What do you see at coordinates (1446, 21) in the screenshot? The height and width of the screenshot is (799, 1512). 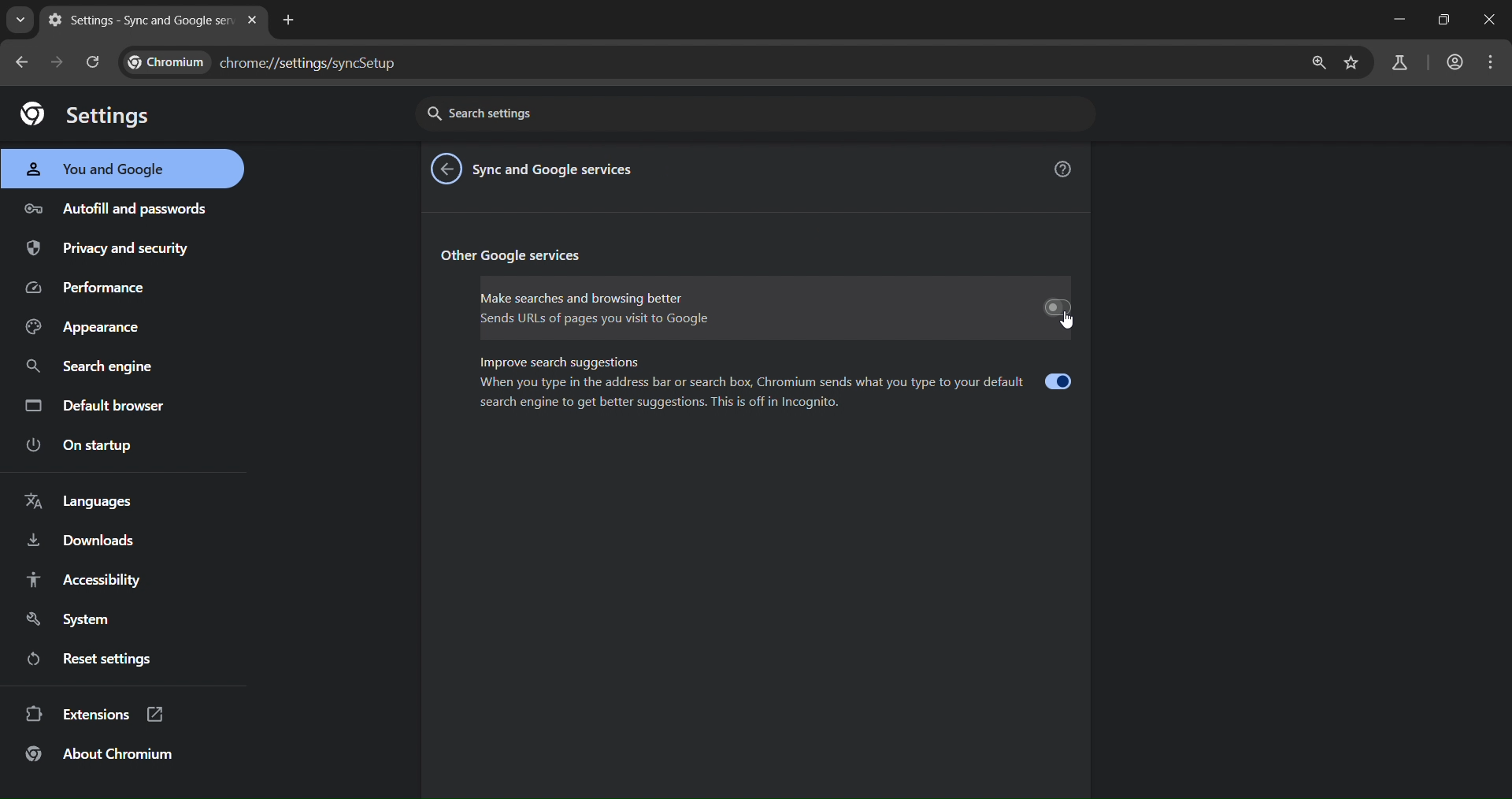 I see `restore down` at bounding box center [1446, 21].